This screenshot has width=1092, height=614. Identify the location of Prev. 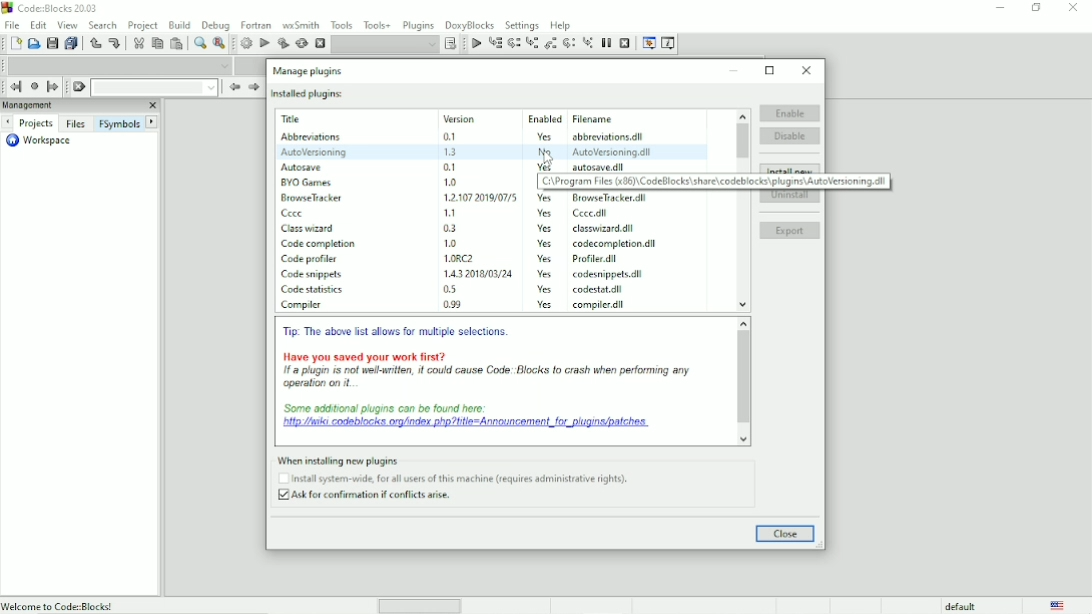
(234, 87).